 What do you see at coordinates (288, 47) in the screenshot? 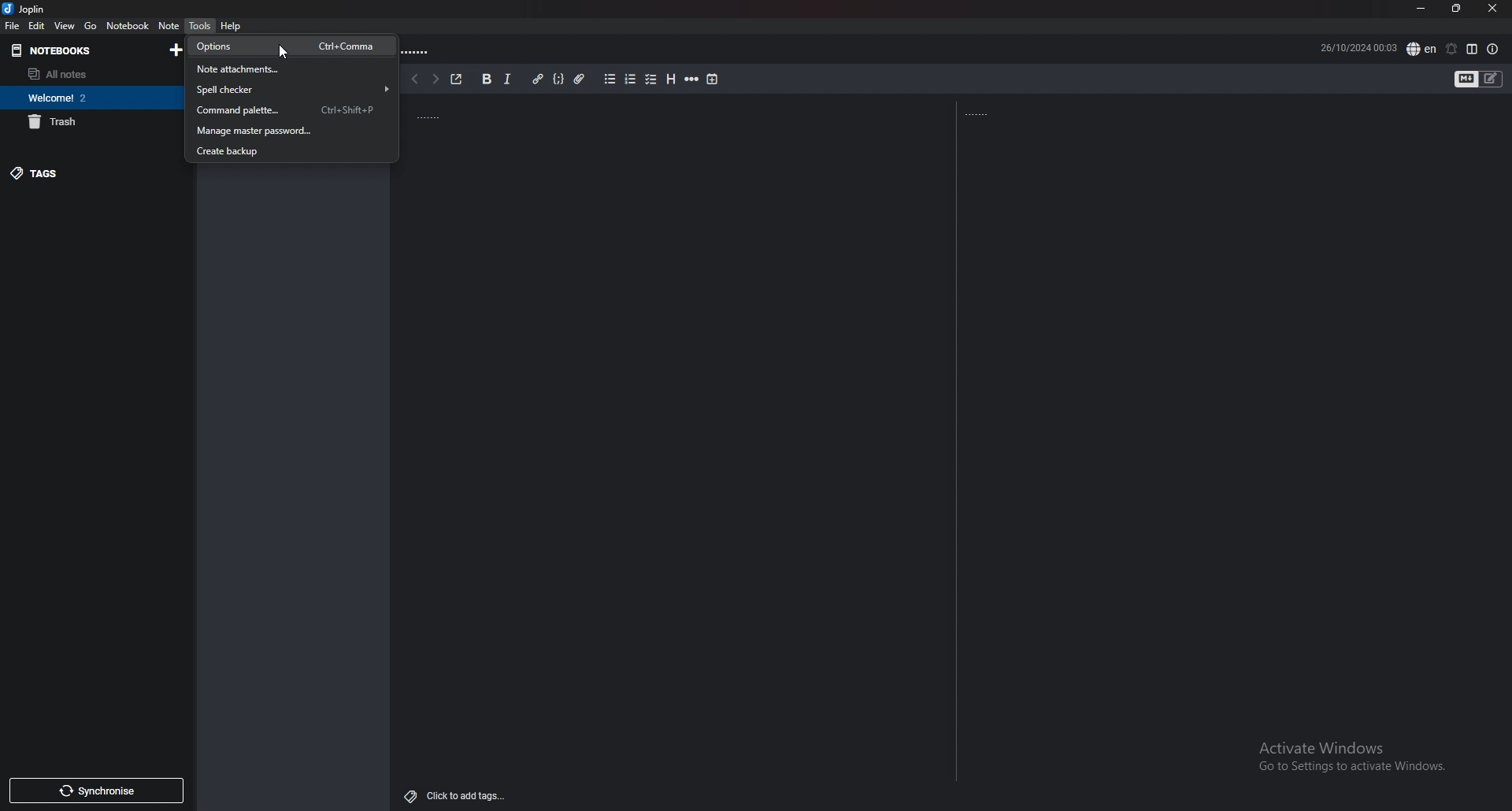
I see `options` at bounding box center [288, 47].